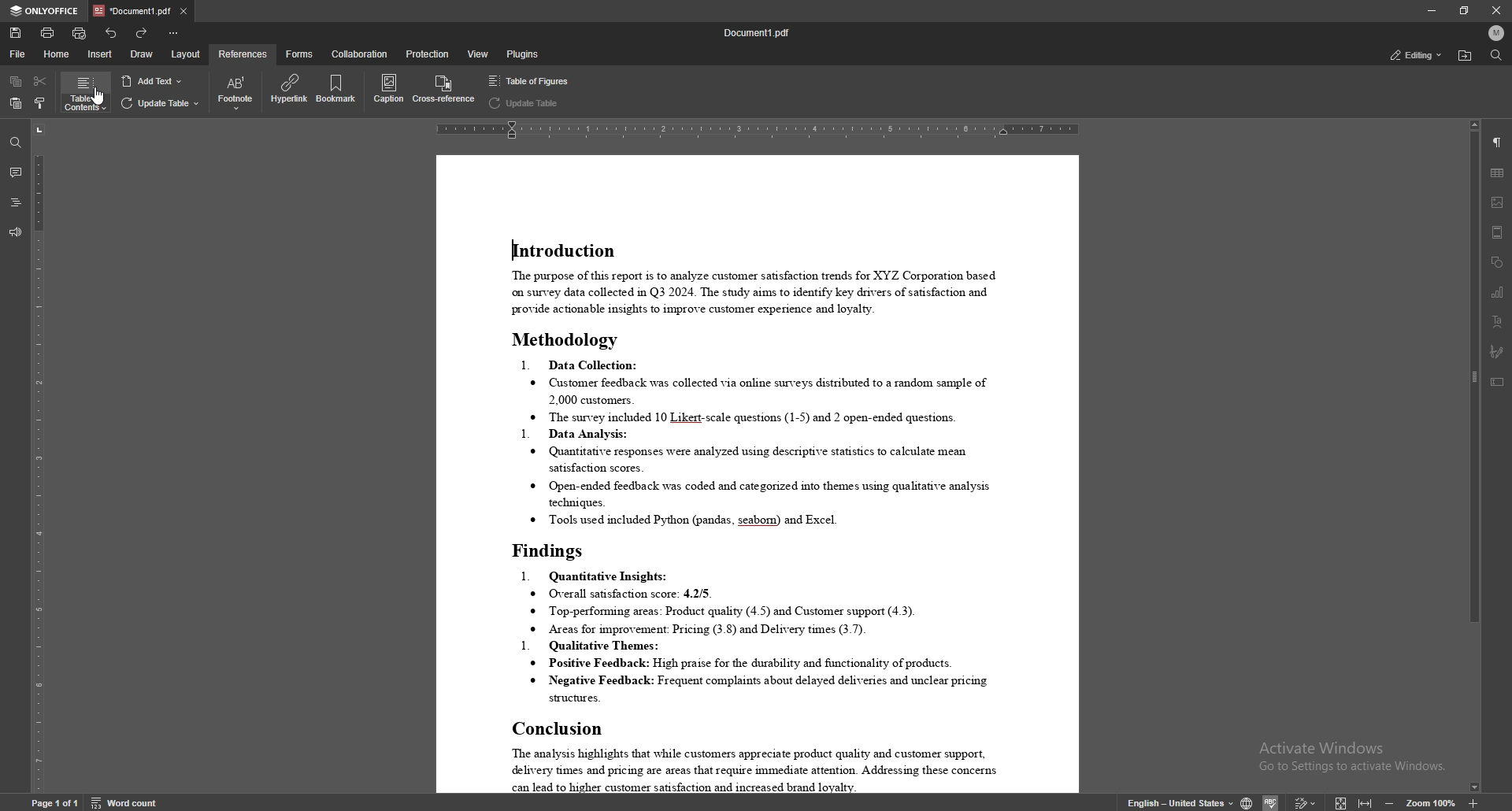 Image resolution: width=1512 pixels, height=811 pixels. What do you see at coordinates (1497, 352) in the screenshot?
I see `signature field` at bounding box center [1497, 352].